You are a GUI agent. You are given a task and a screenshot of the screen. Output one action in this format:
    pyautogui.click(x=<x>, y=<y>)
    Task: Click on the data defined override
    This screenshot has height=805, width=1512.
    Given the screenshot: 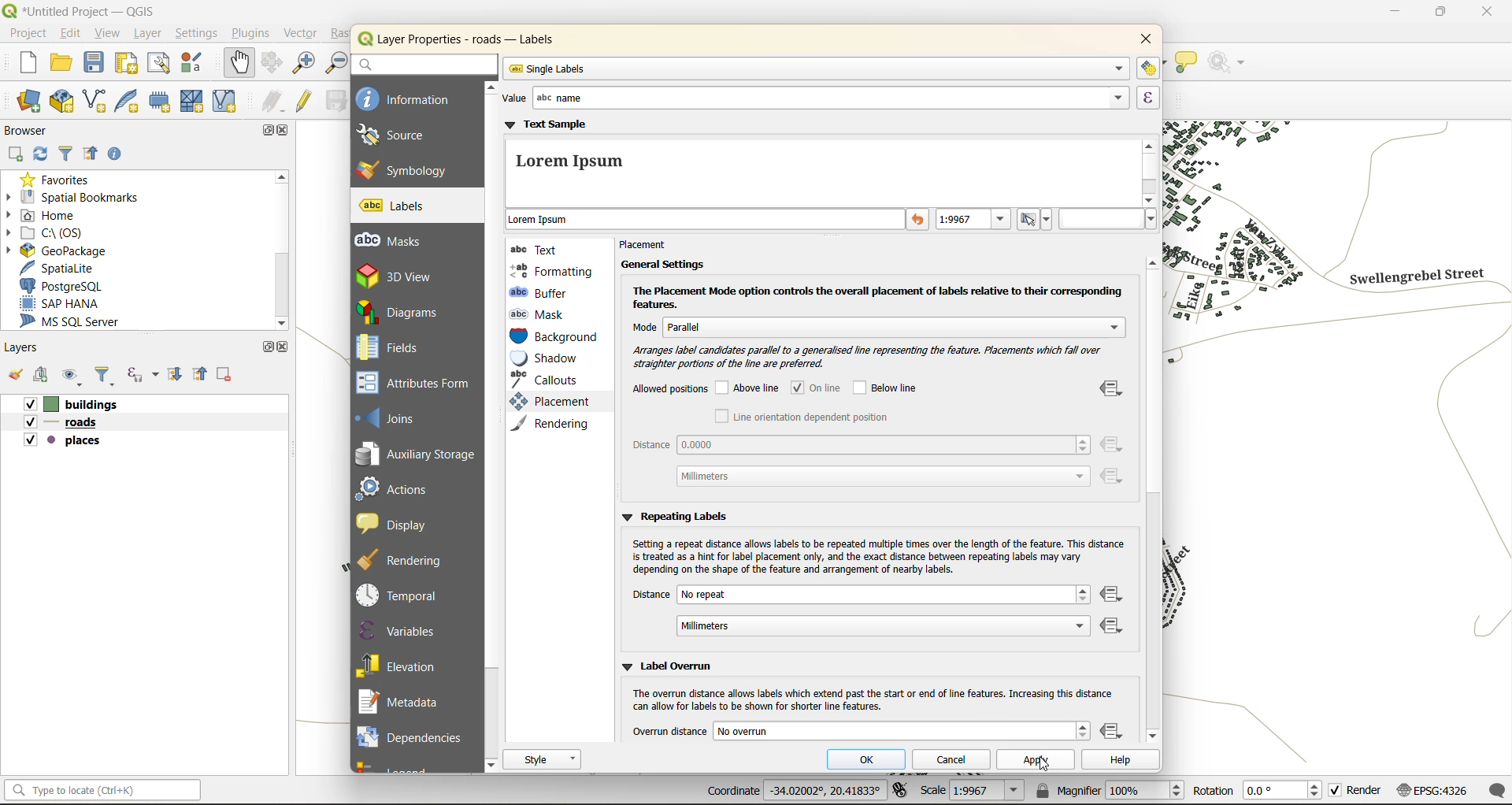 What is the action you would take?
    pyautogui.click(x=1114, y=612)
    